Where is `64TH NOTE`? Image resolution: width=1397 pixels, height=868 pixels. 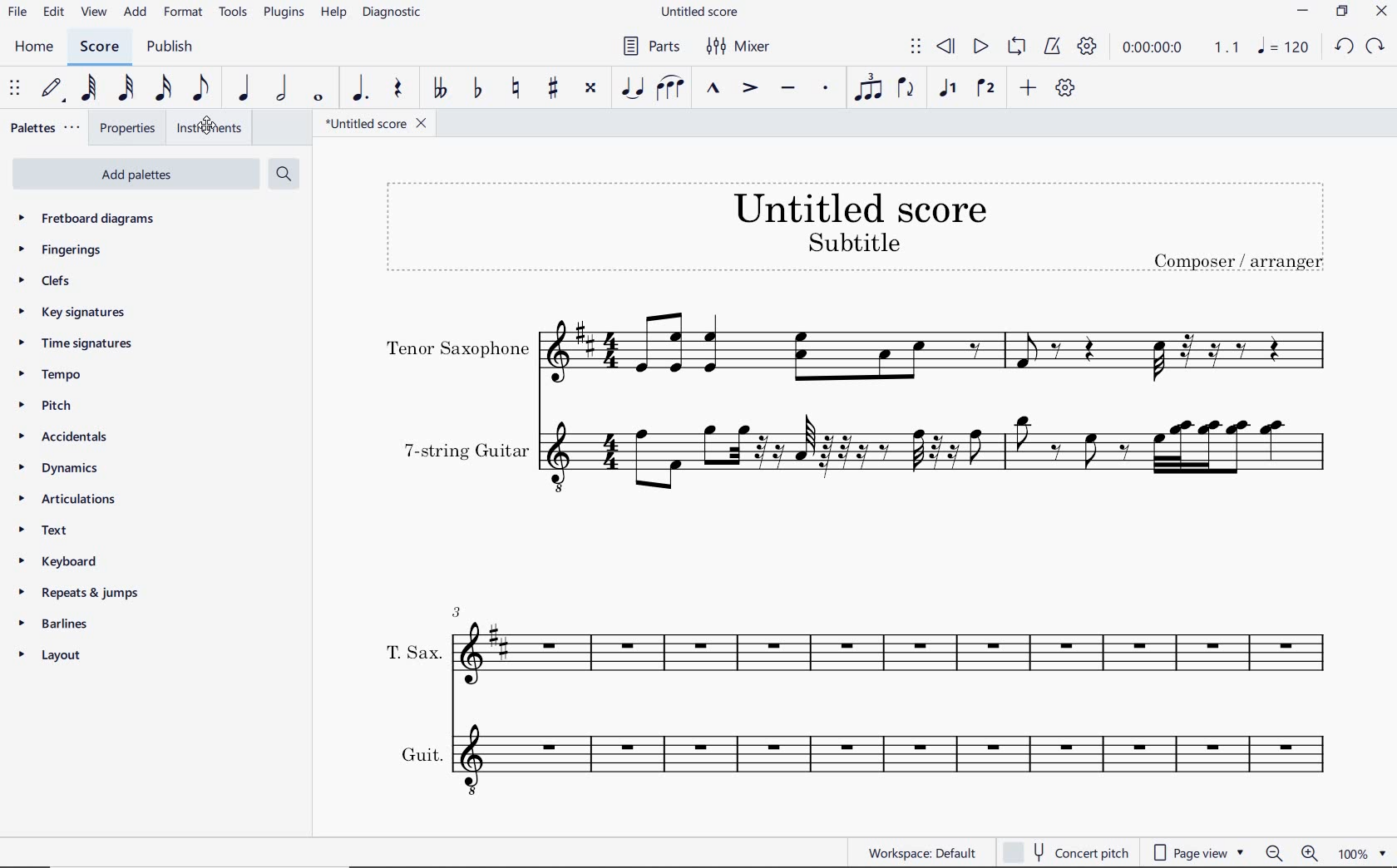
64TH NOTE is located at coordinates (87, 87).